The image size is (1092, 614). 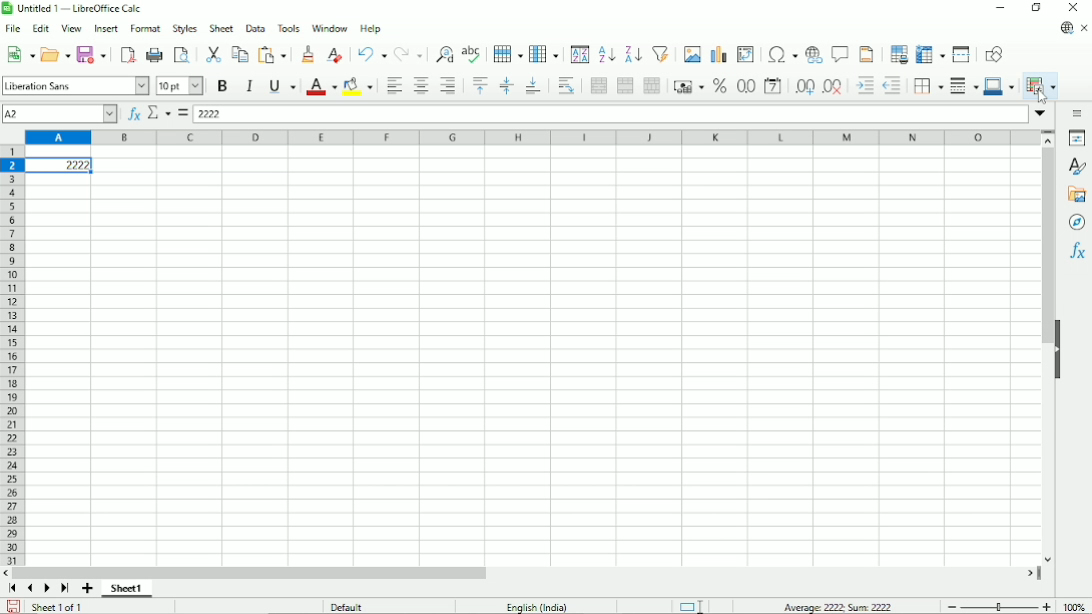 I want to click on Sort descending, so click(x=631, y=54).